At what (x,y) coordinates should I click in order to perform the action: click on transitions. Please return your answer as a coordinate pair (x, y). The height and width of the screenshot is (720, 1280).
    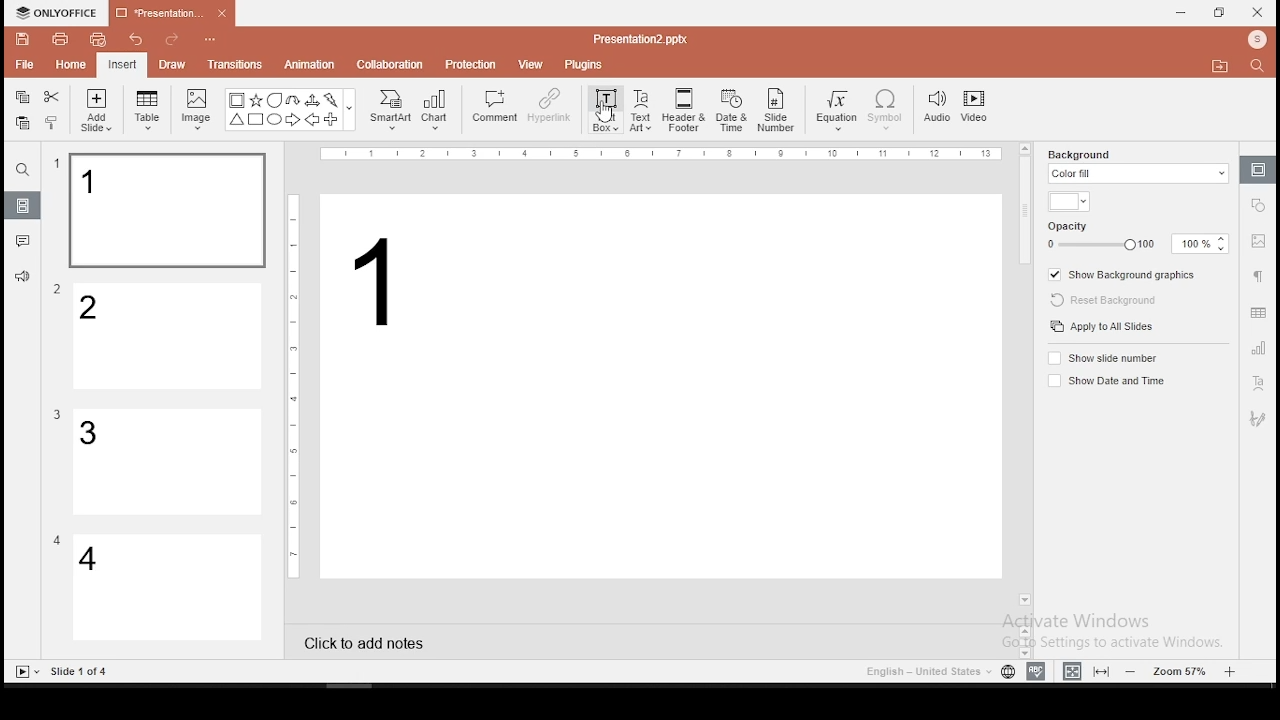
    Looking at the image, I should click on (234, 64).